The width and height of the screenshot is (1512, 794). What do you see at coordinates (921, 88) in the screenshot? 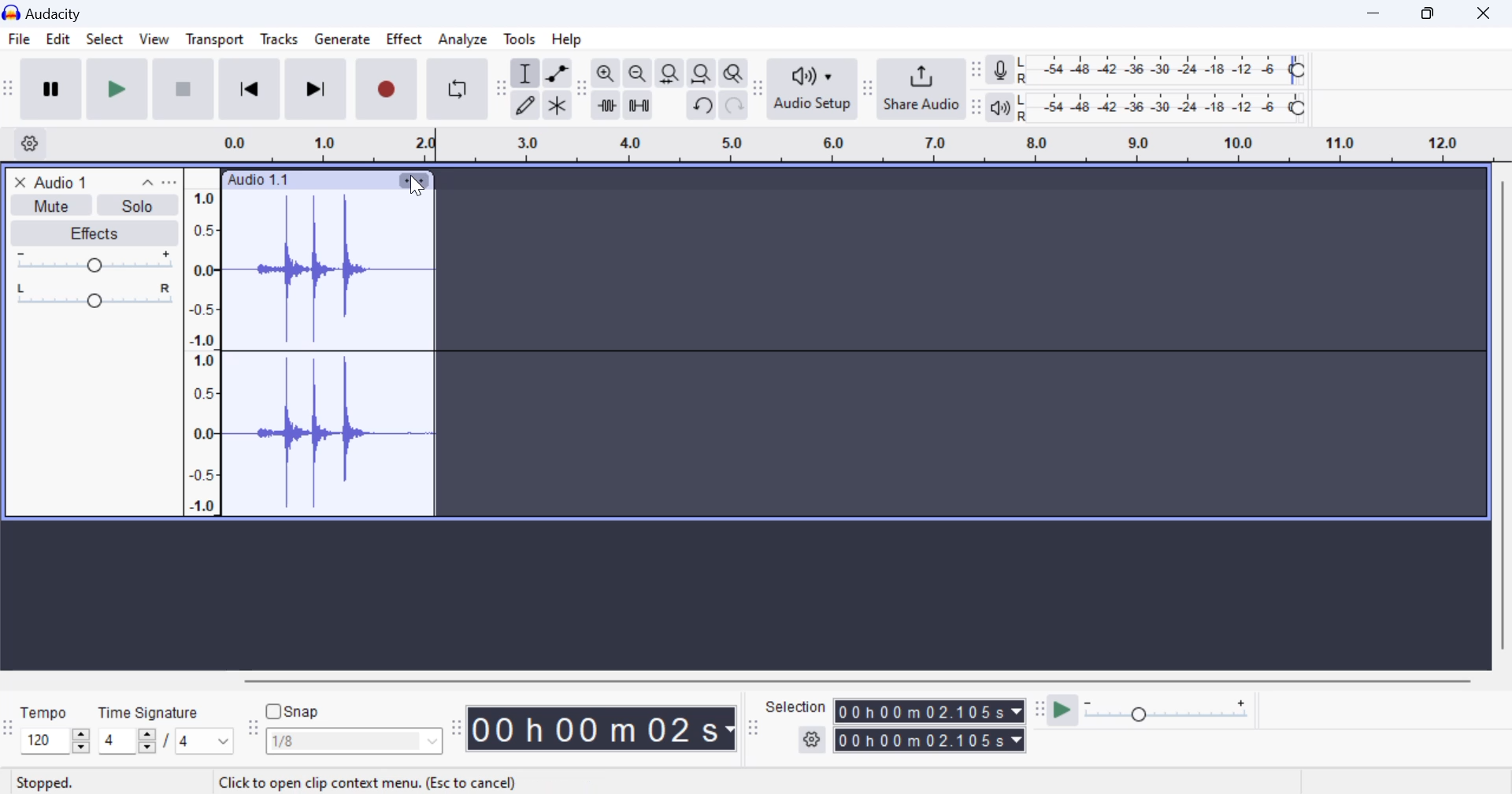
I see `Share Audio` at bounding box center [921, 88].